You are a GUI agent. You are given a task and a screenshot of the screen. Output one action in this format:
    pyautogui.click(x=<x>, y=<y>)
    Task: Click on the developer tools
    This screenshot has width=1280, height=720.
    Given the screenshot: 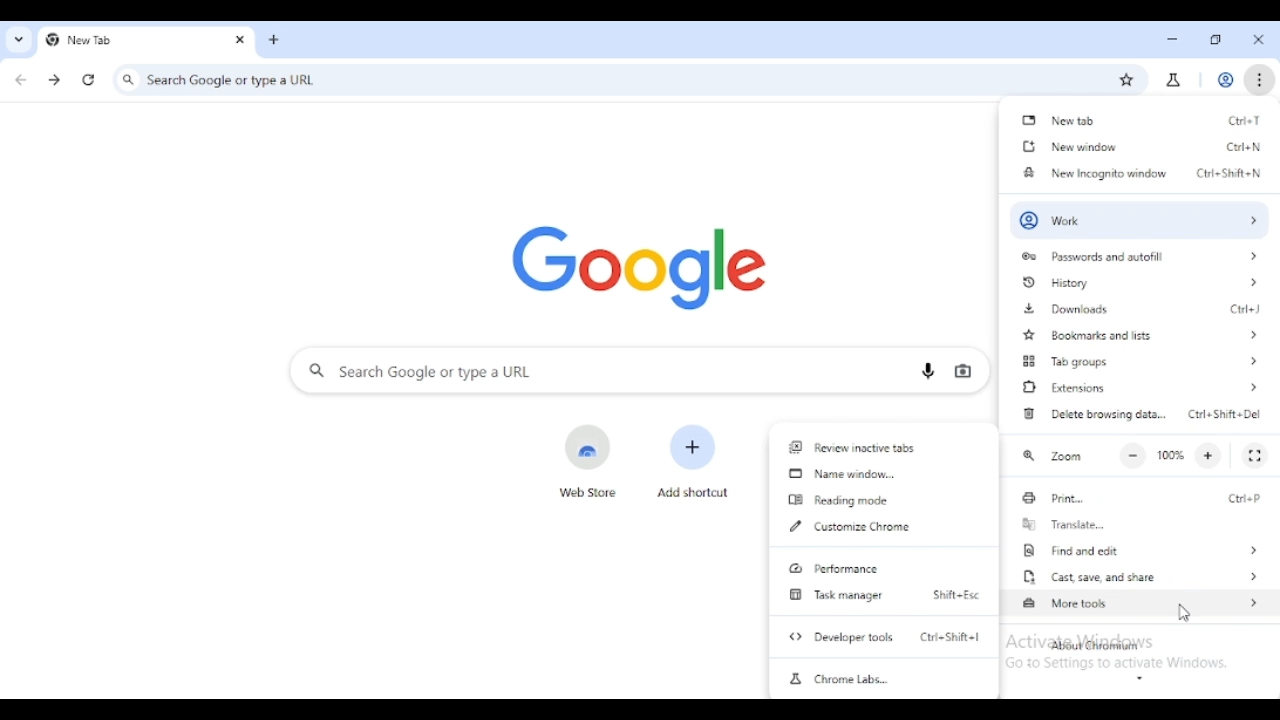 What is the action you would take?
    pyautogui.click(x=841, y=637)
    